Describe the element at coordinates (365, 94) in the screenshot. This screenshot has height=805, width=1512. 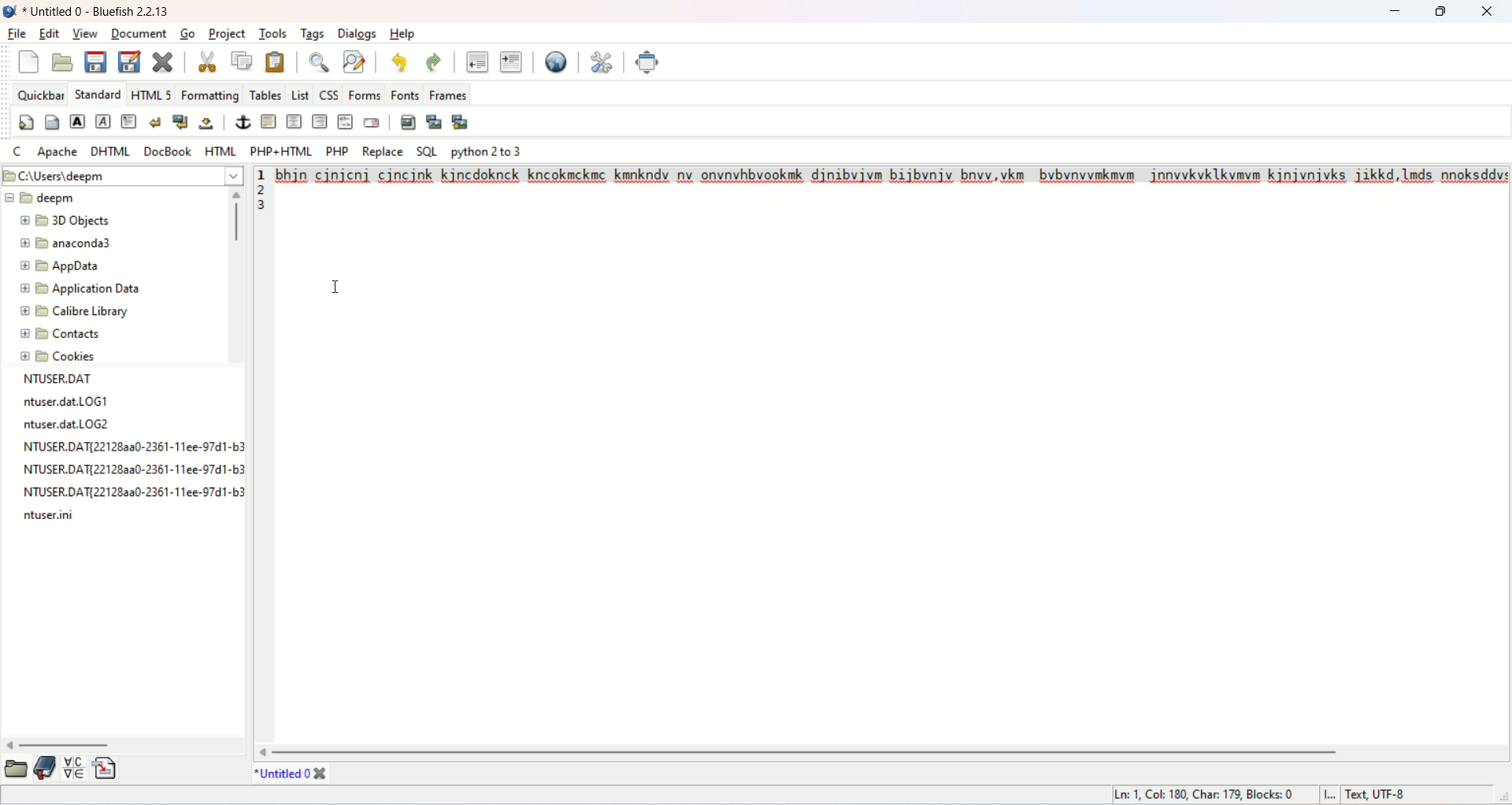
I see `forms` at that location.